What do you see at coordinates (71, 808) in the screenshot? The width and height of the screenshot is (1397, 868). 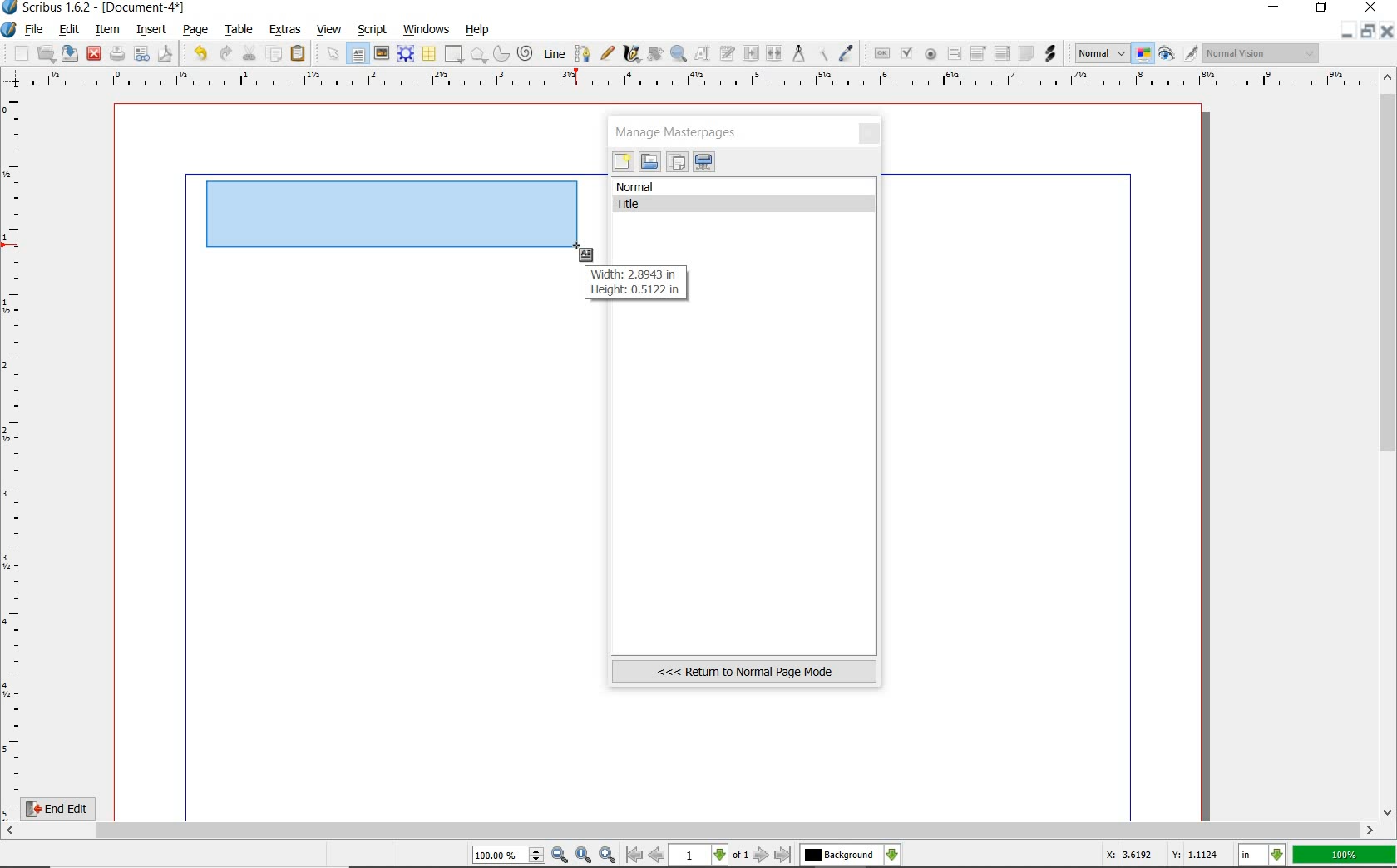 I see `End Edit` at bounding box center [71, 808].